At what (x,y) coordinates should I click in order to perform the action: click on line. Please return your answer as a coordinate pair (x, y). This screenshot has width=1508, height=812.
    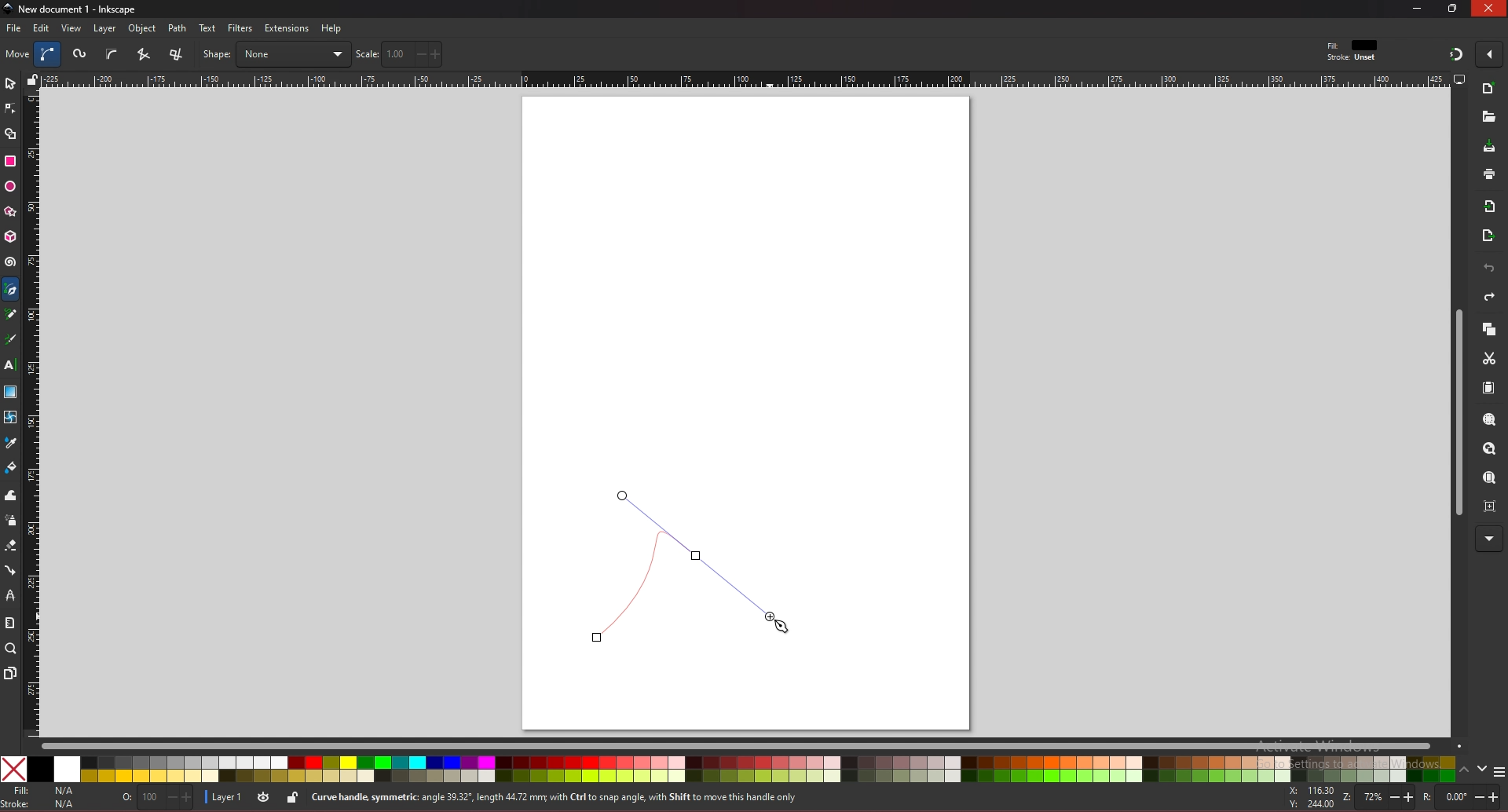
    Looking at the image, I should click on (684, 566).